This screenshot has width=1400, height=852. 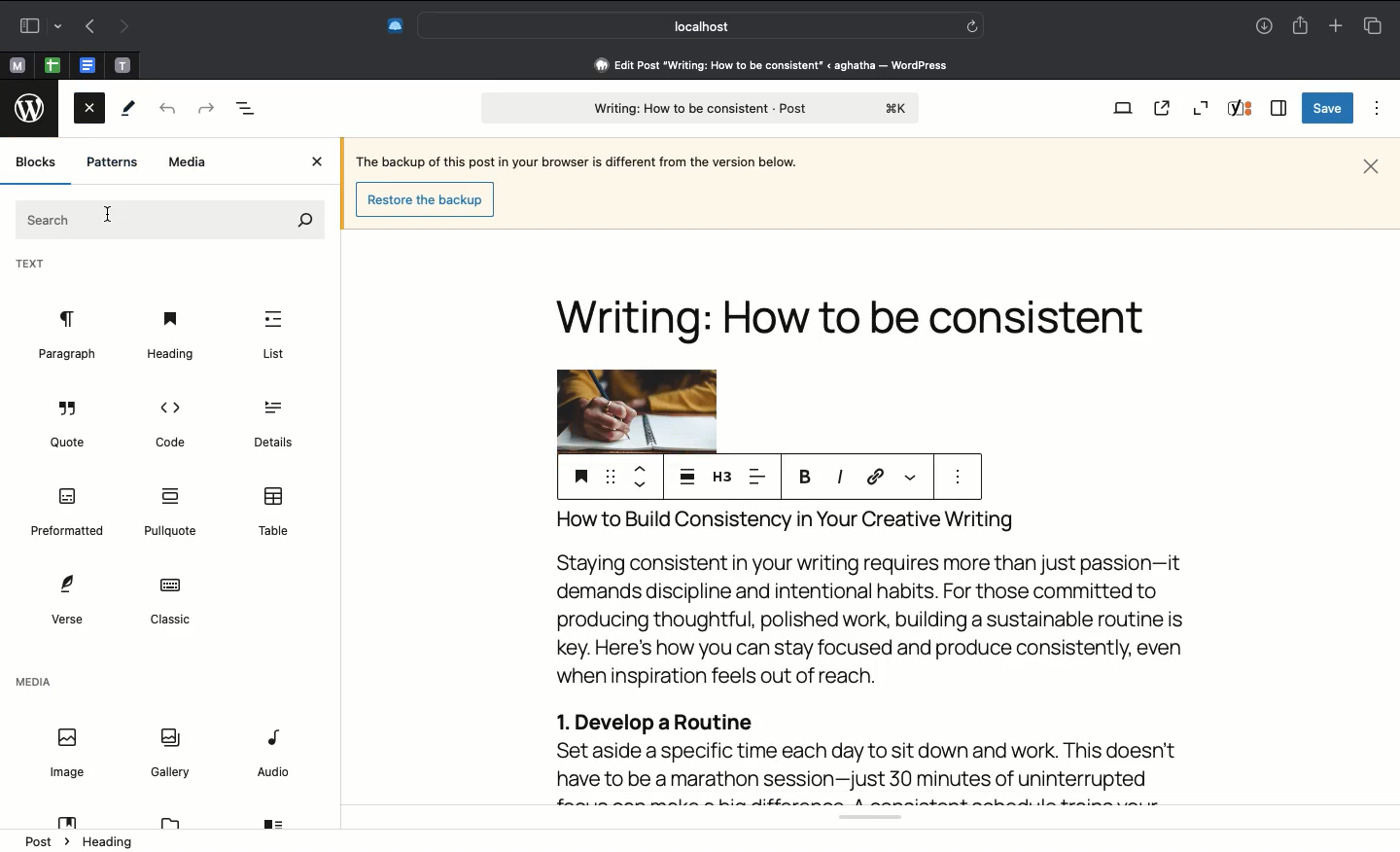 What do you see at coordinates (761, 476) in the screenshot?
I see `Align` at bounding box center [761, 476].